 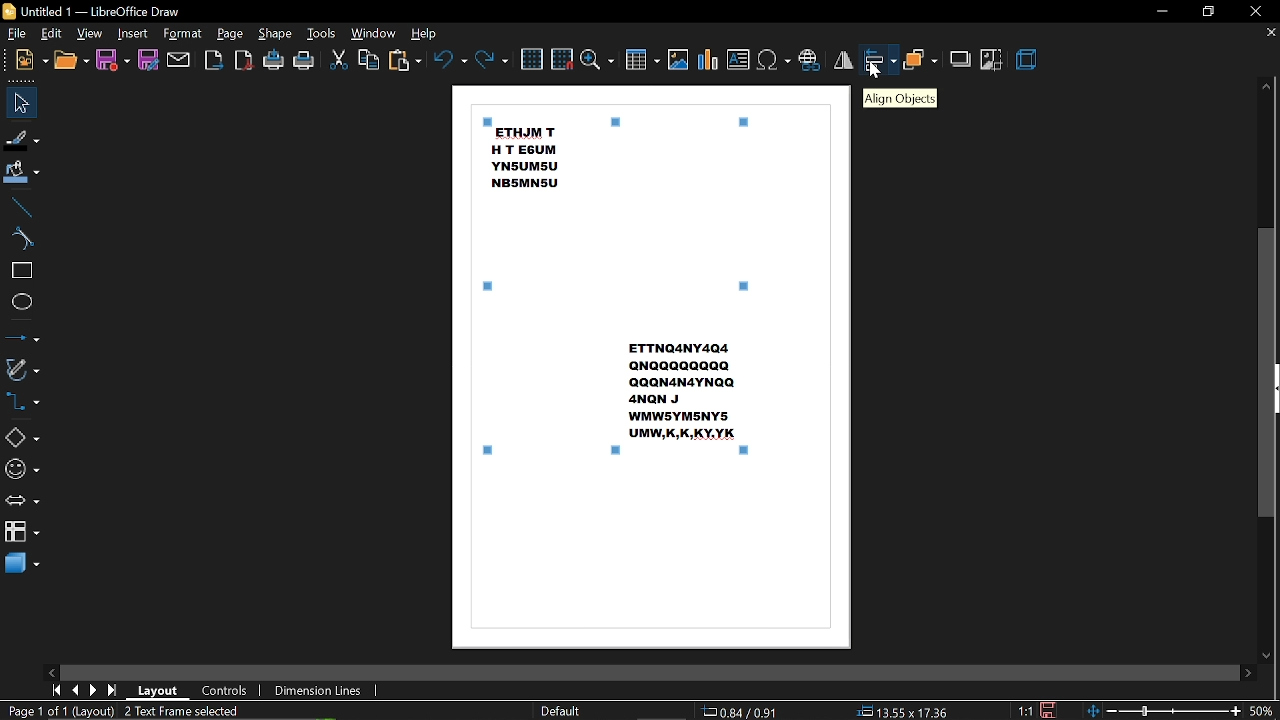 What do you see at coordinates (560, 711) in the screenshot?
I see `default` at bounding box center [560, 711].